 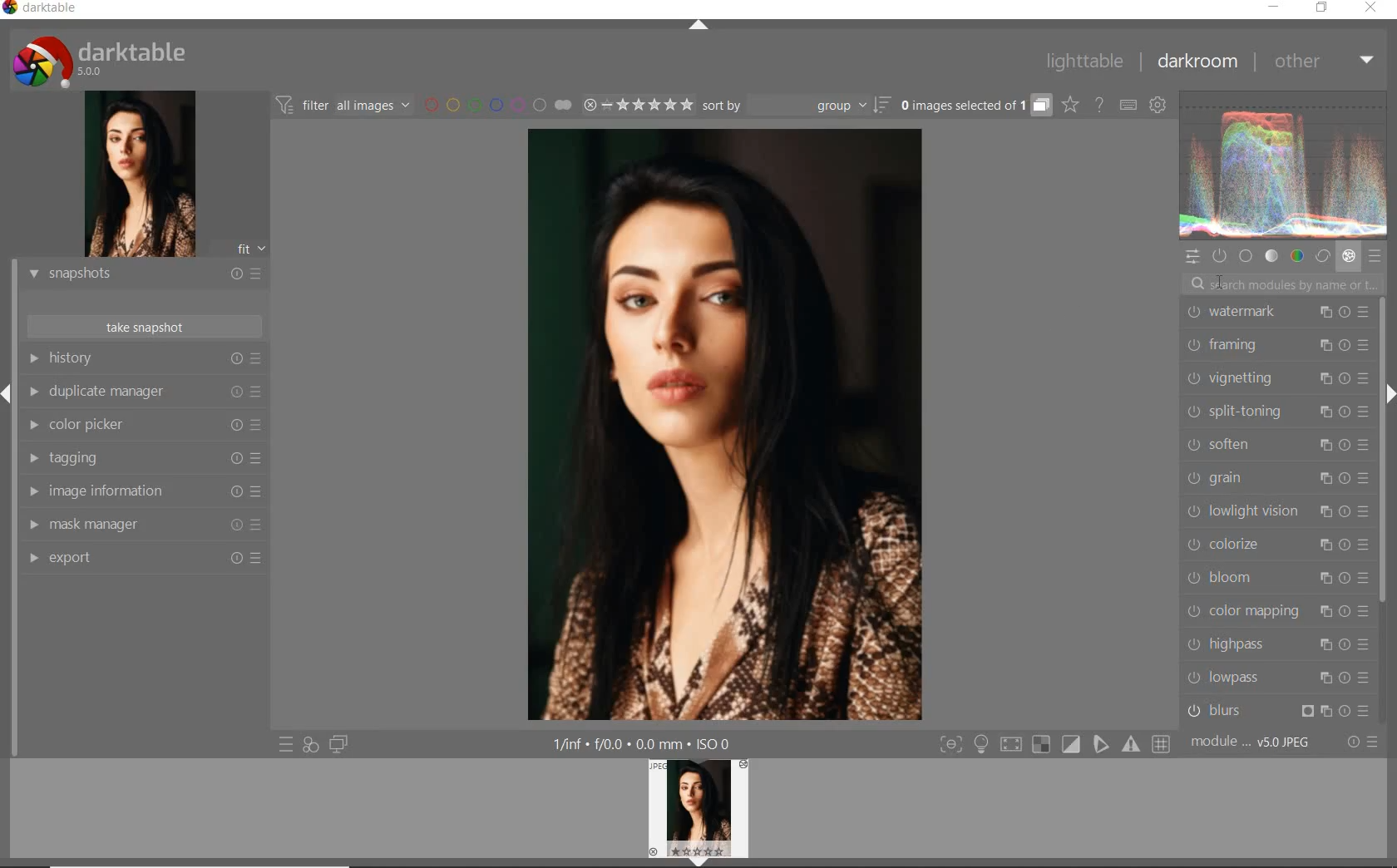 What do you see at coordinates (725, 426) in the screenshot?
I see `selected image` at bounding box center [725, 426].